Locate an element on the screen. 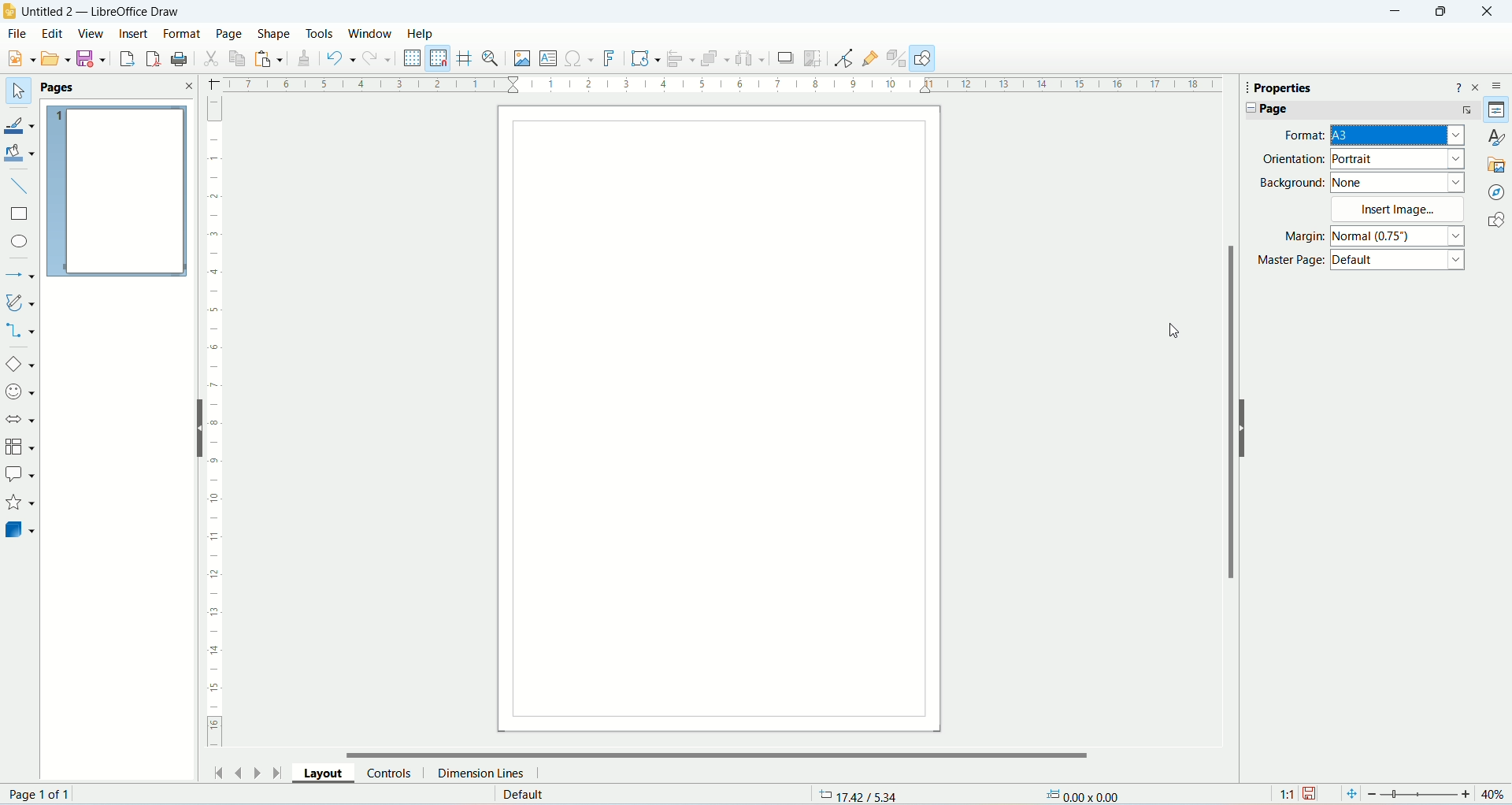 The image size is (1512, 805). tools is located at coordinates (322, 35).